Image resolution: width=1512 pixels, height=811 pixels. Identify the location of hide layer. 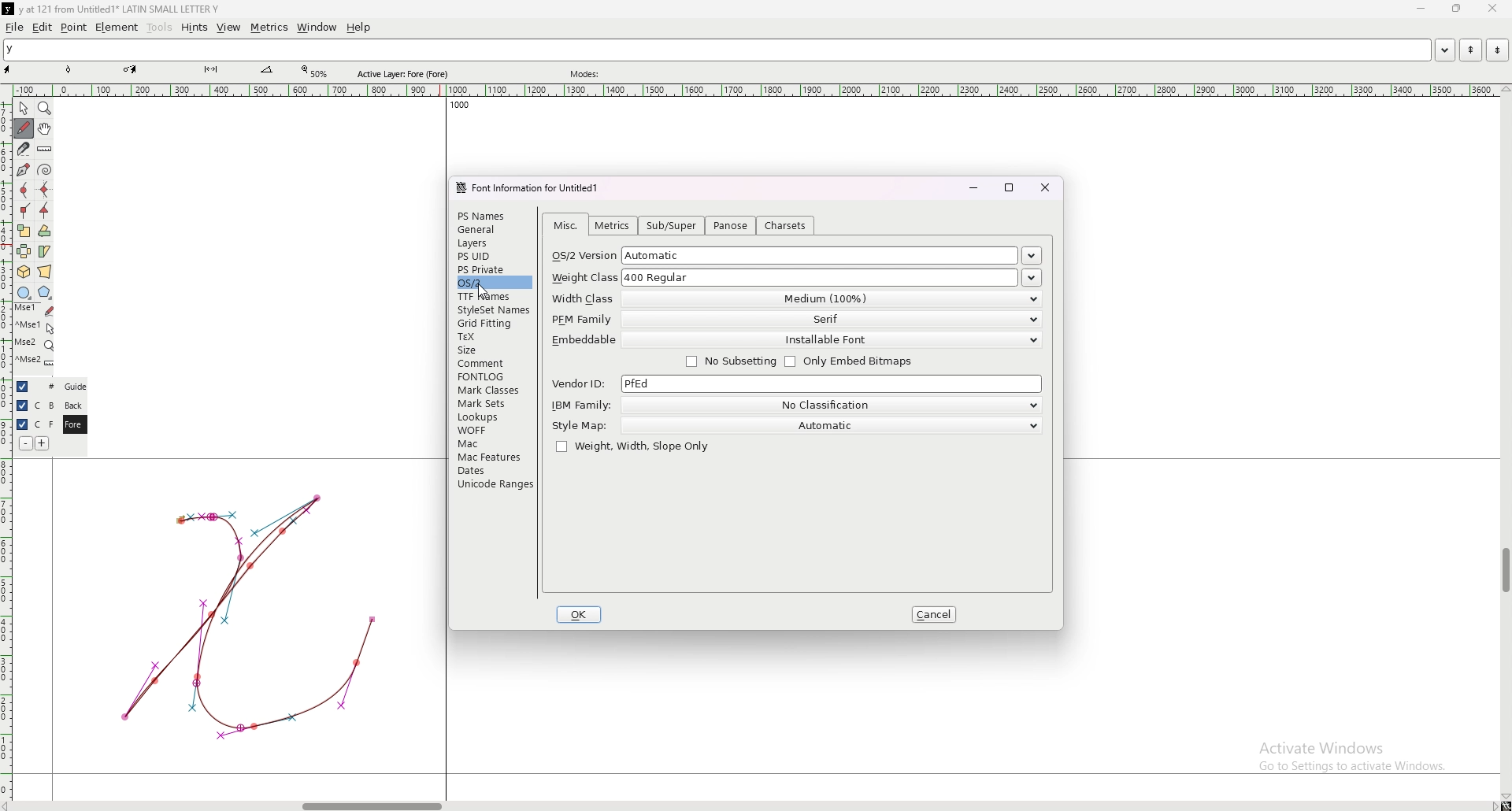
(22, 424).